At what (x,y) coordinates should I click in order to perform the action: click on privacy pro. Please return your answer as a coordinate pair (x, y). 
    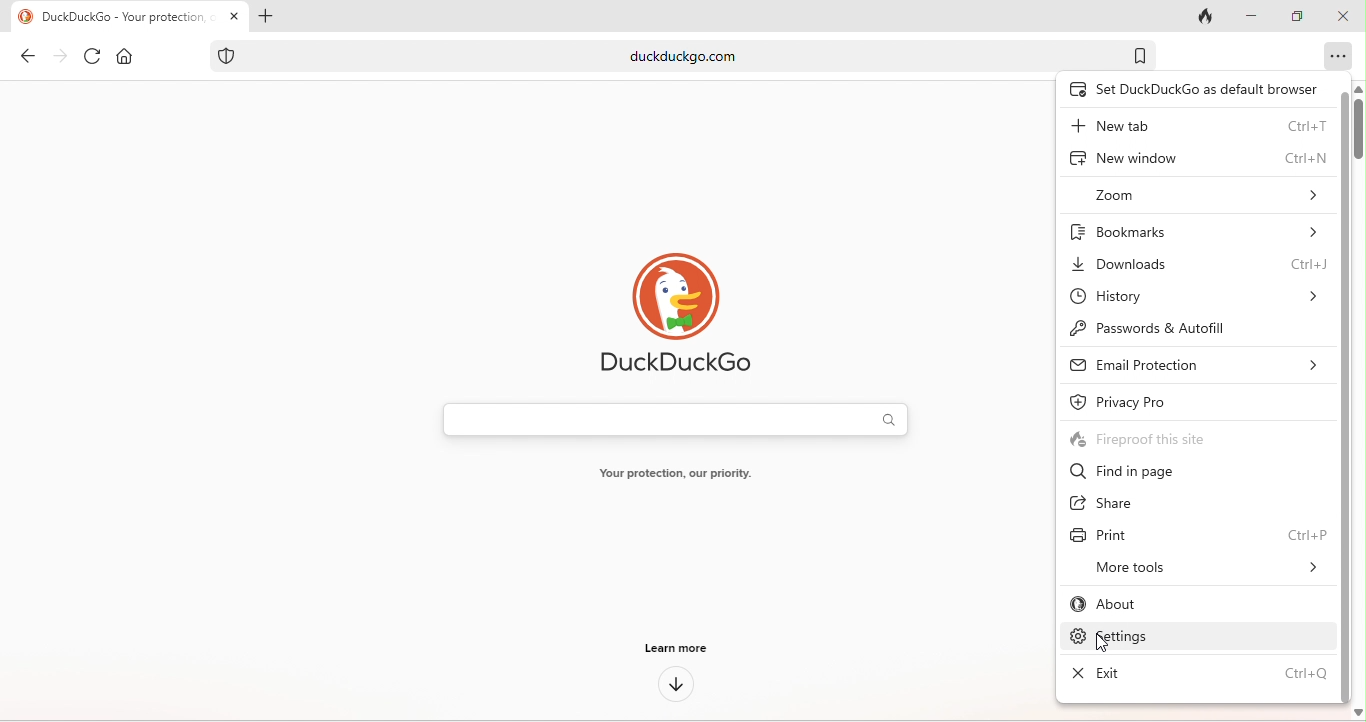
    Looking at the image, I should click on (1121, 399).